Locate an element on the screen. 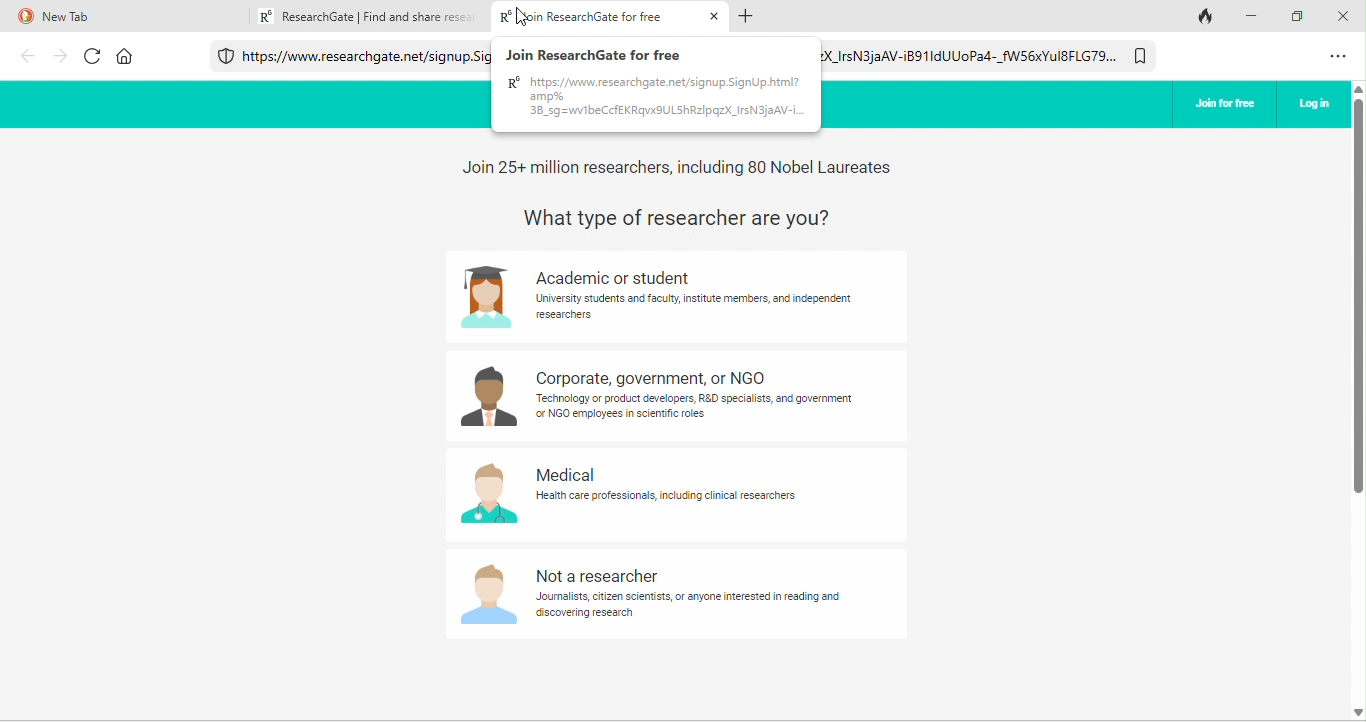 The image size is (1366, 722). Bookmark is located at coordinates (1140, 57).